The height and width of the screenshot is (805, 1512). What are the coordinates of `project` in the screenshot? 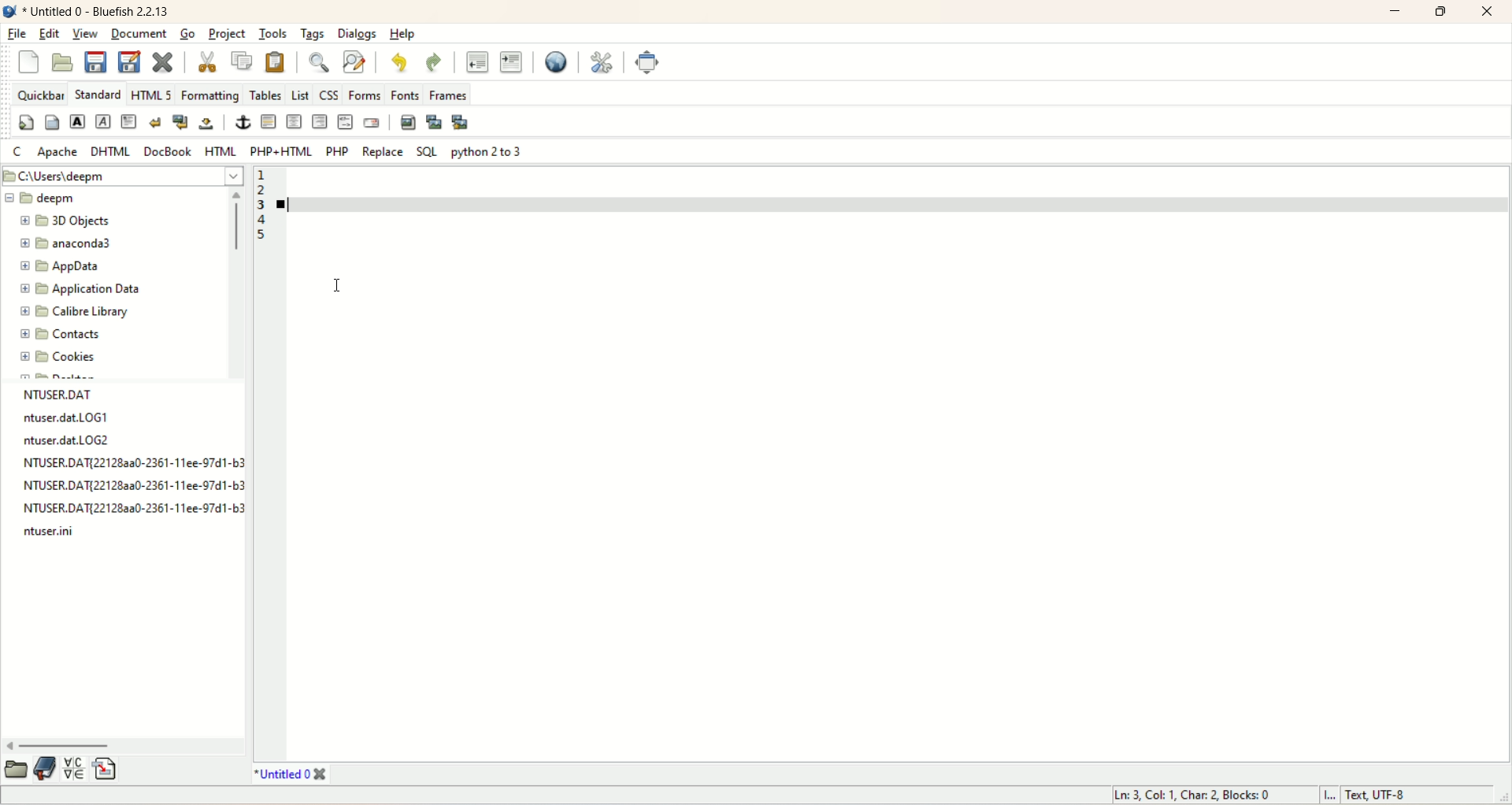 It's located at (228, 33).